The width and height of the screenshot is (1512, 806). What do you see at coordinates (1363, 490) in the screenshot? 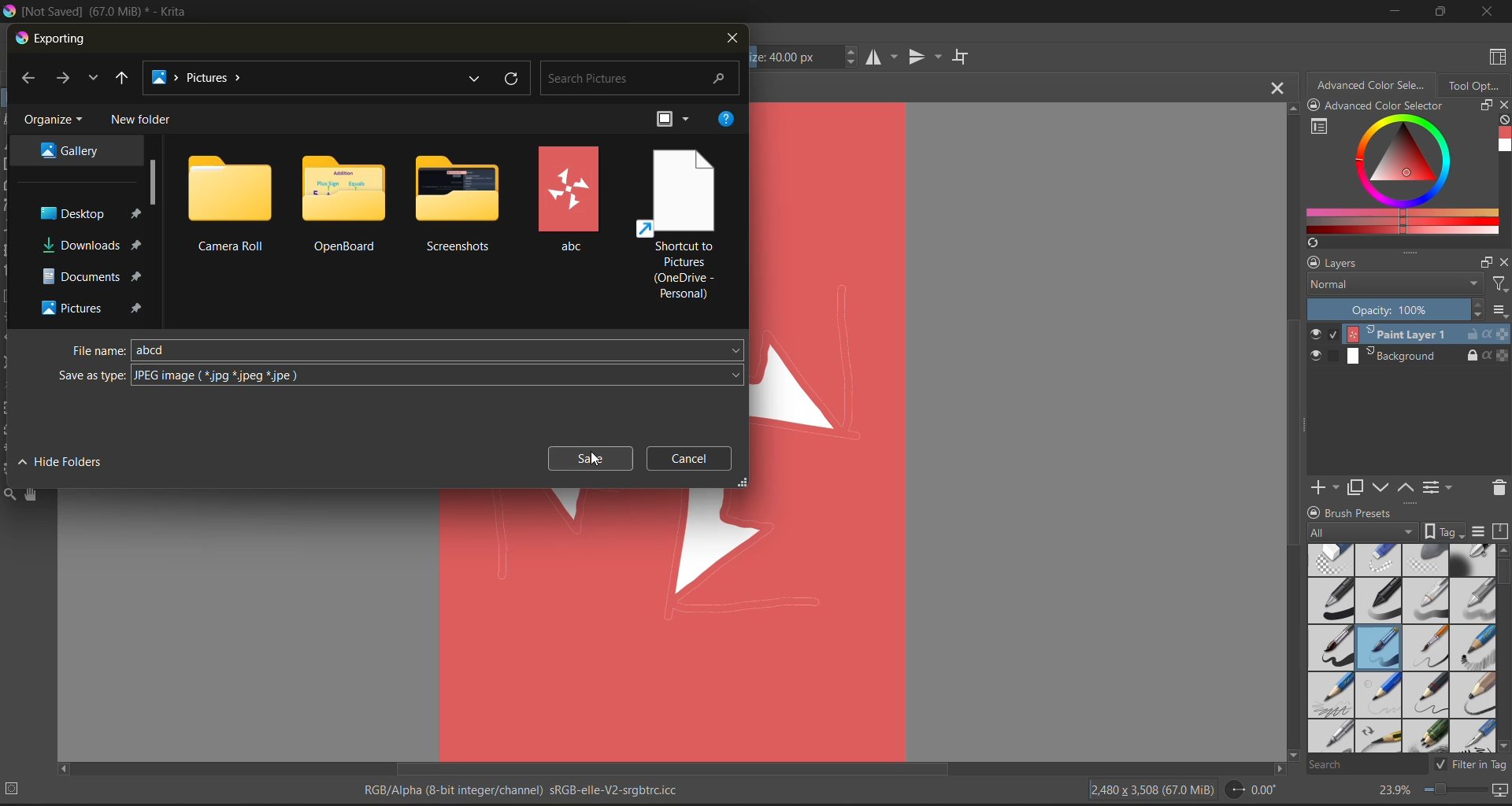
I see `duplicate layer ` at bounding box center [1363, 490].